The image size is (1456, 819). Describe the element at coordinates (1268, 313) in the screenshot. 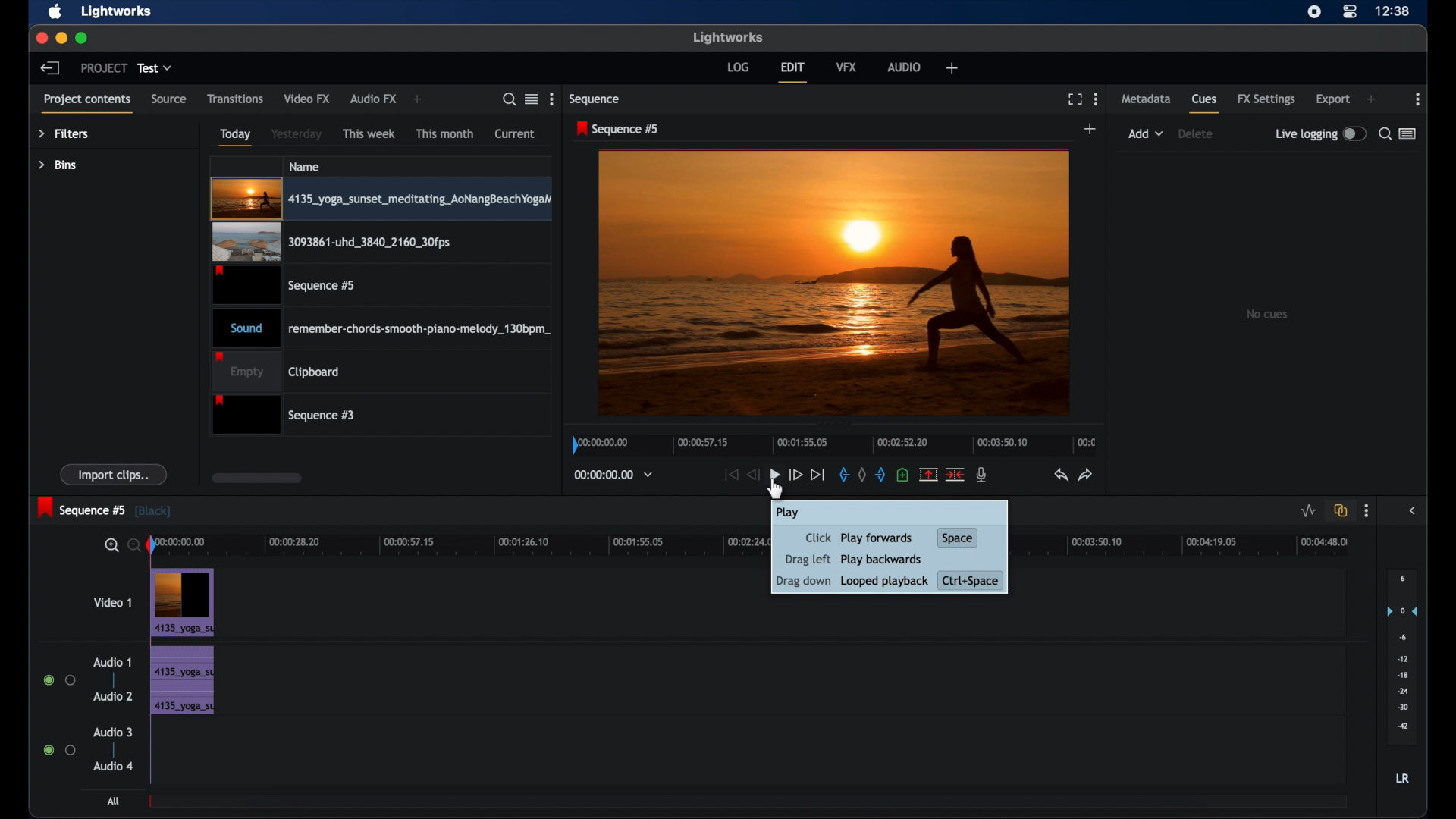

I see `no clips` at that location.